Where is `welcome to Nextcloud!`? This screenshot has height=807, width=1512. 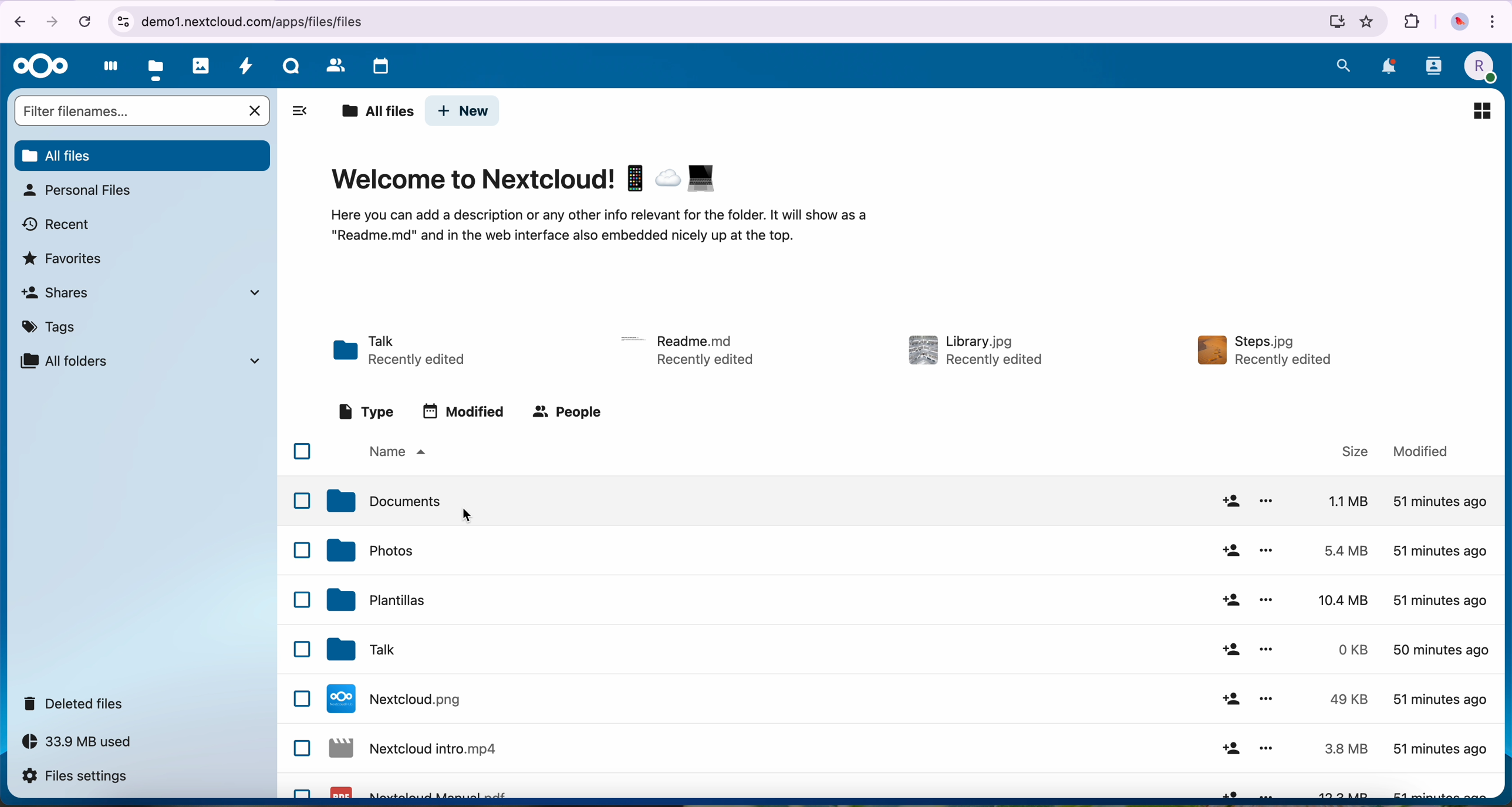
welcome to Nextcloud! is located at coordinates (598, 201).